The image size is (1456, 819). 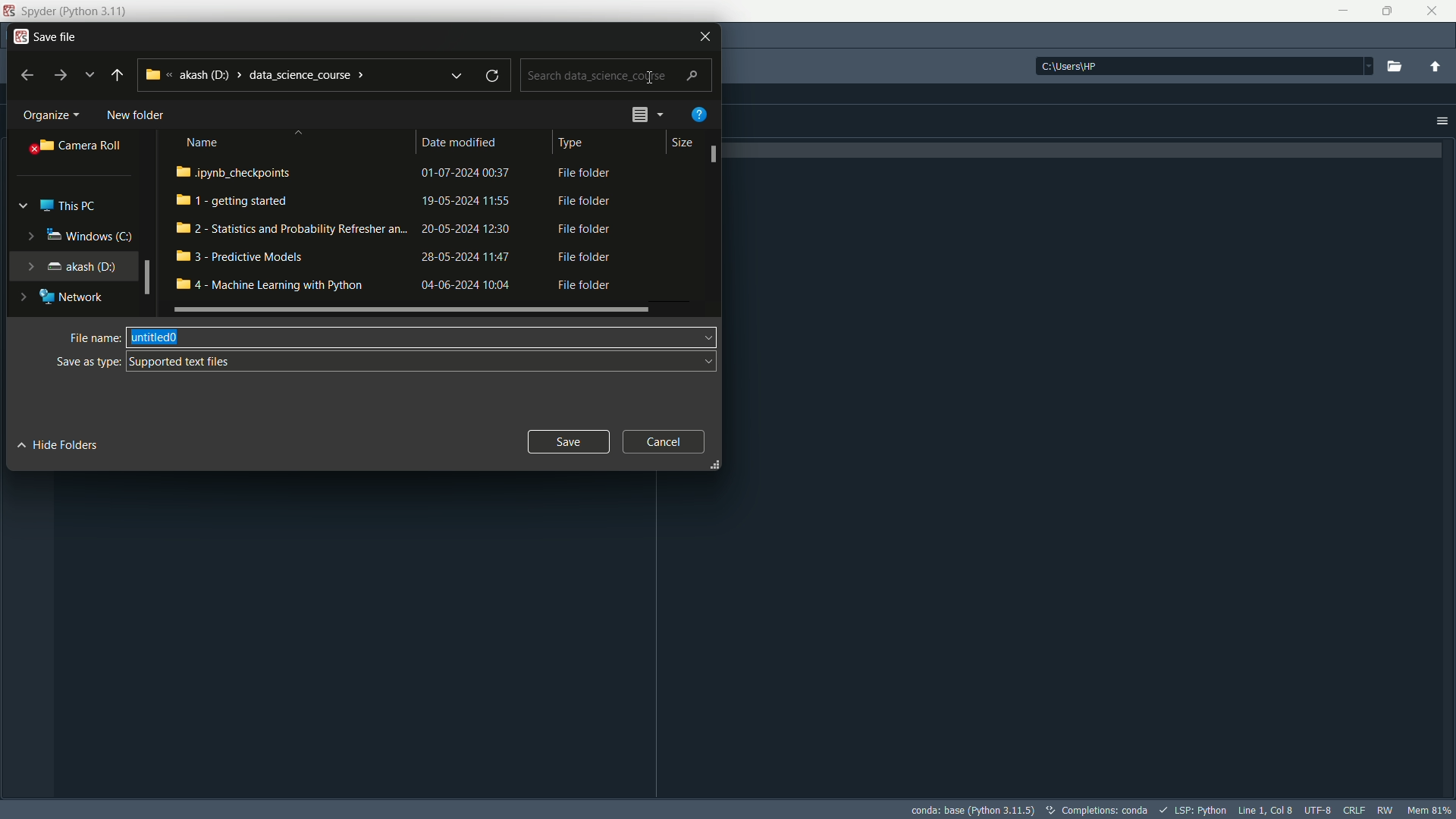 What do you see at coordinates (1352, 810) in the screenshot?
I see `file permissions` at bounding box center [1352, 810].